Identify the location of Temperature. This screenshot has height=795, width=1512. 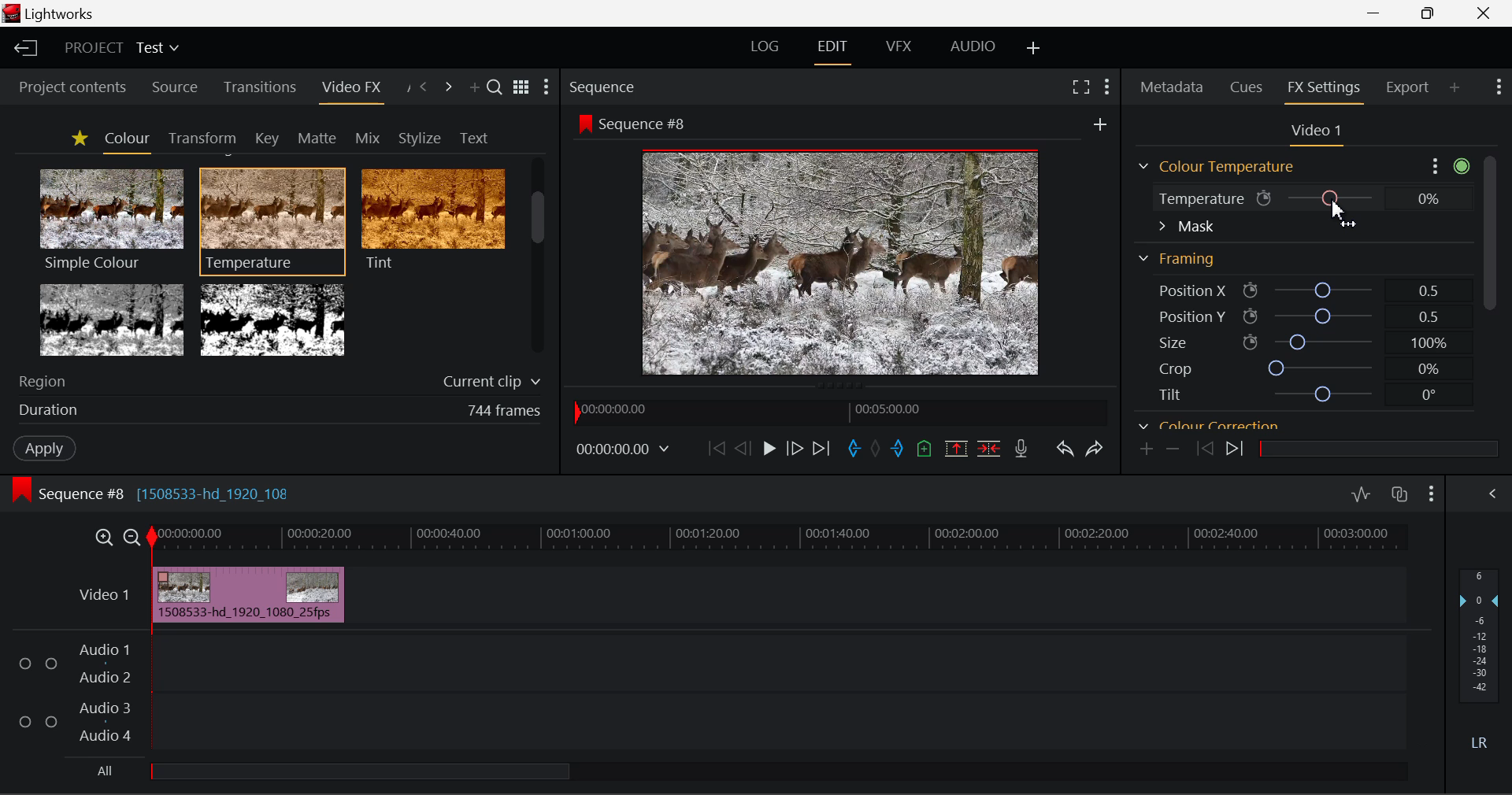
(1197, 201).